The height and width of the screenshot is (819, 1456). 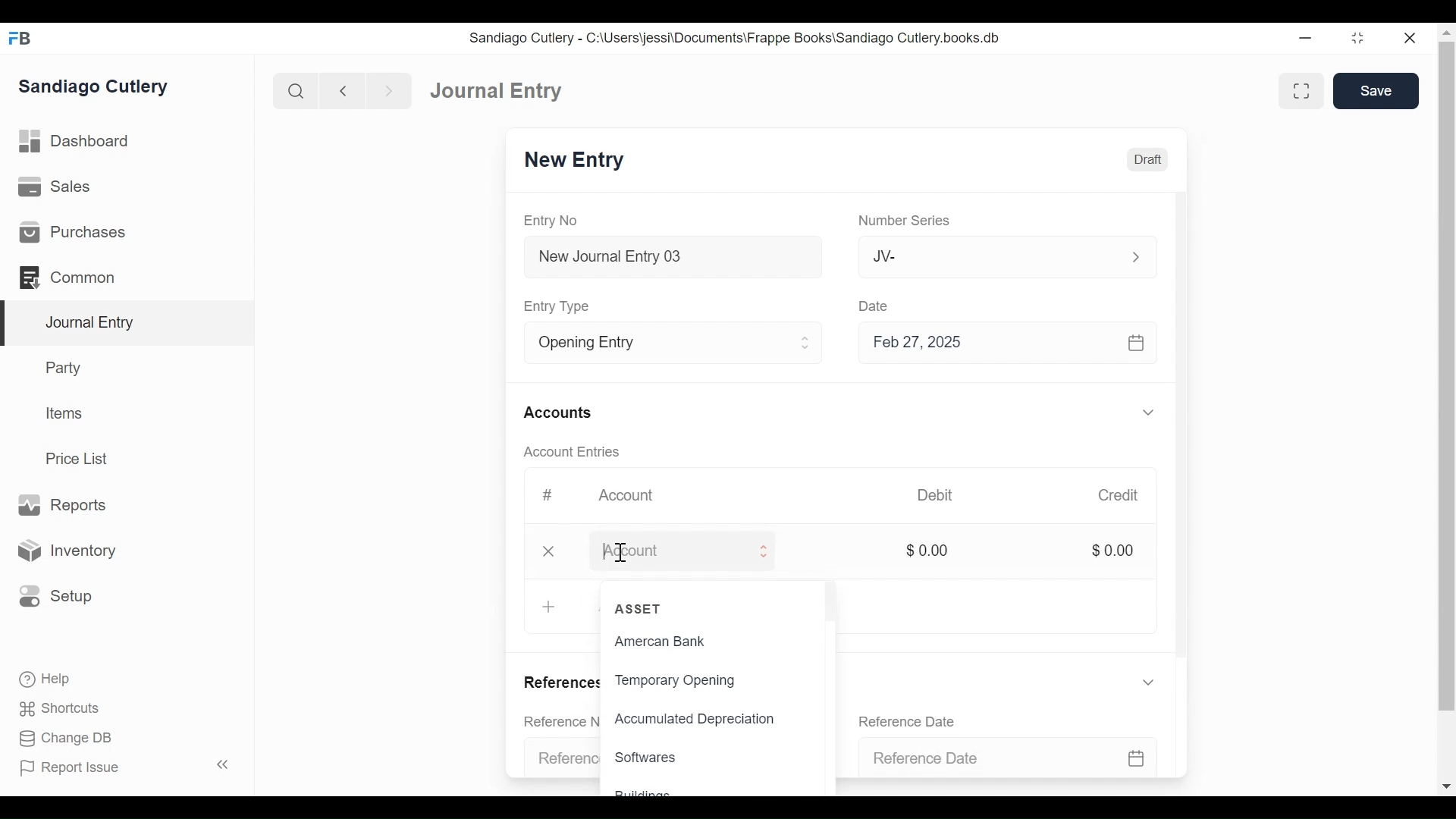 I want to click on Setup, so click(x=56, y=597).